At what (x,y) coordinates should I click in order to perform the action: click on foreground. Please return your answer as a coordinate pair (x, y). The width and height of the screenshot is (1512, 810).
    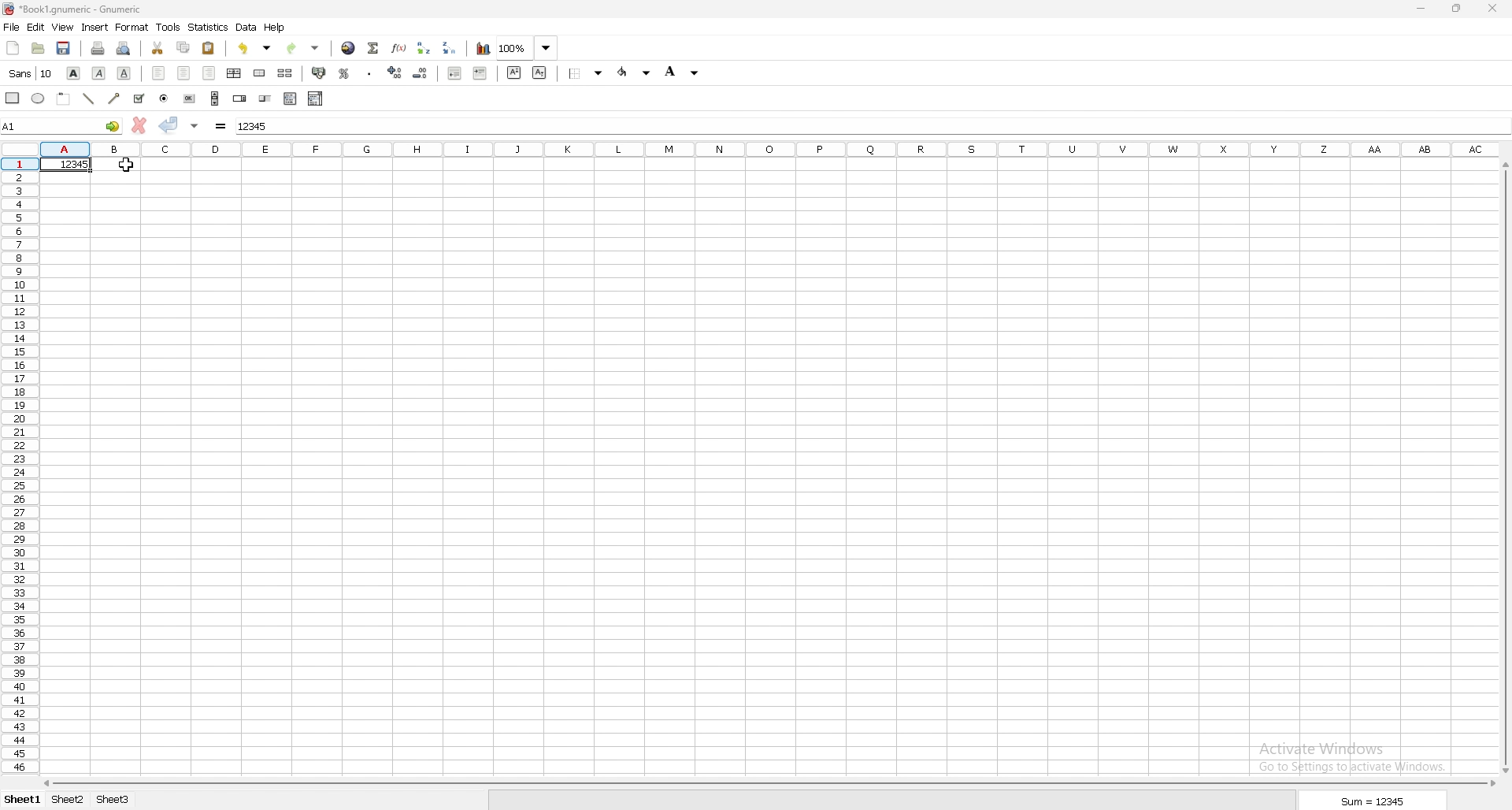
    Looking at the image, I should click on (633, 72).